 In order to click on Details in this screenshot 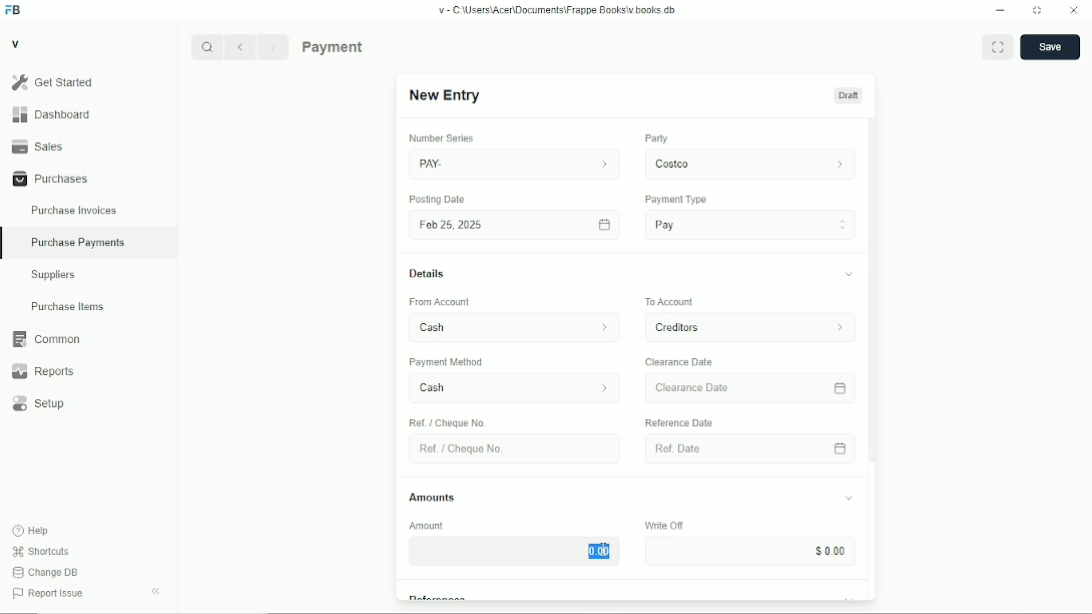, I will do `click(427, 274)`.